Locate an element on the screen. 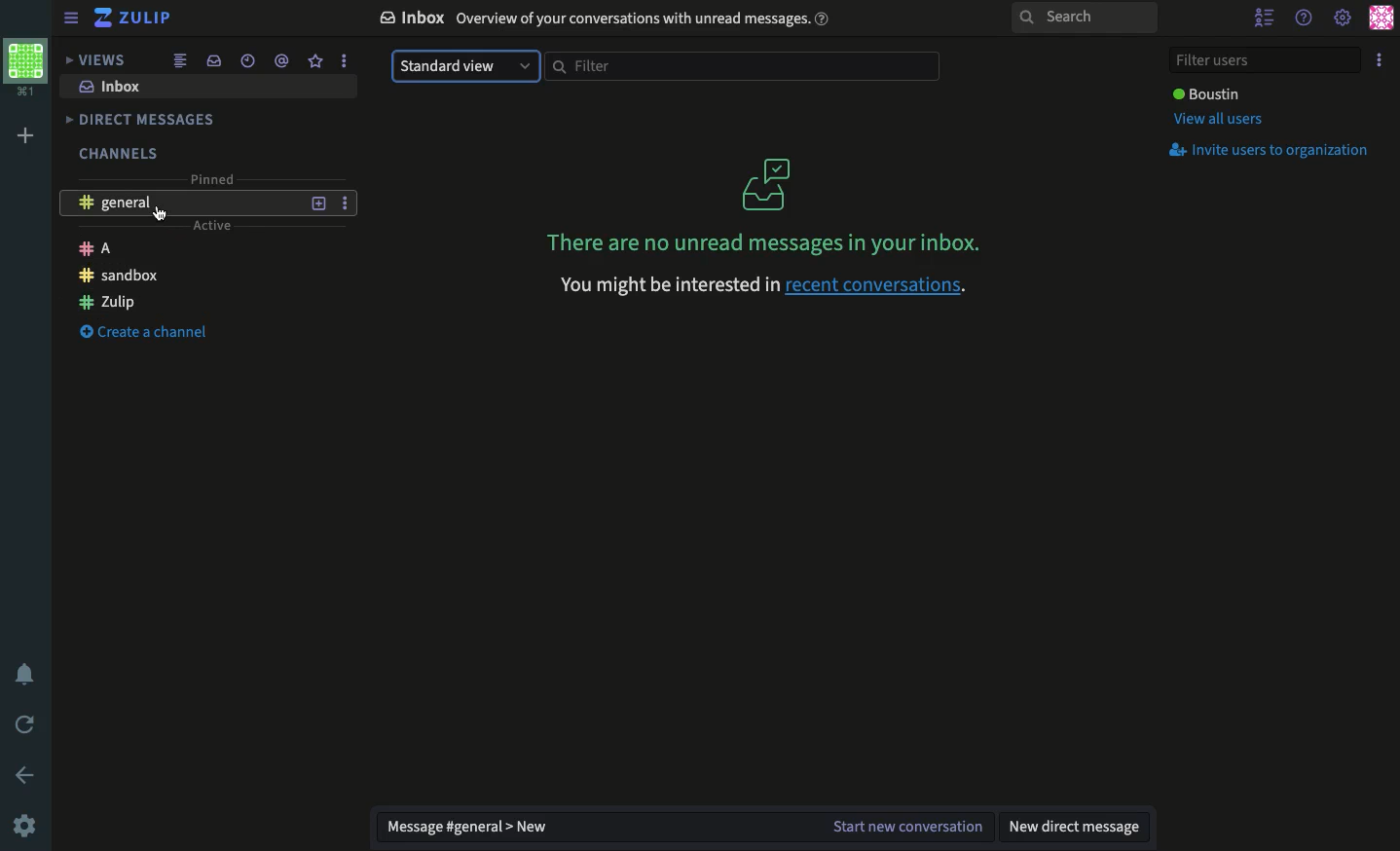  Mouse Pointer is located at coordinates (160, 215).